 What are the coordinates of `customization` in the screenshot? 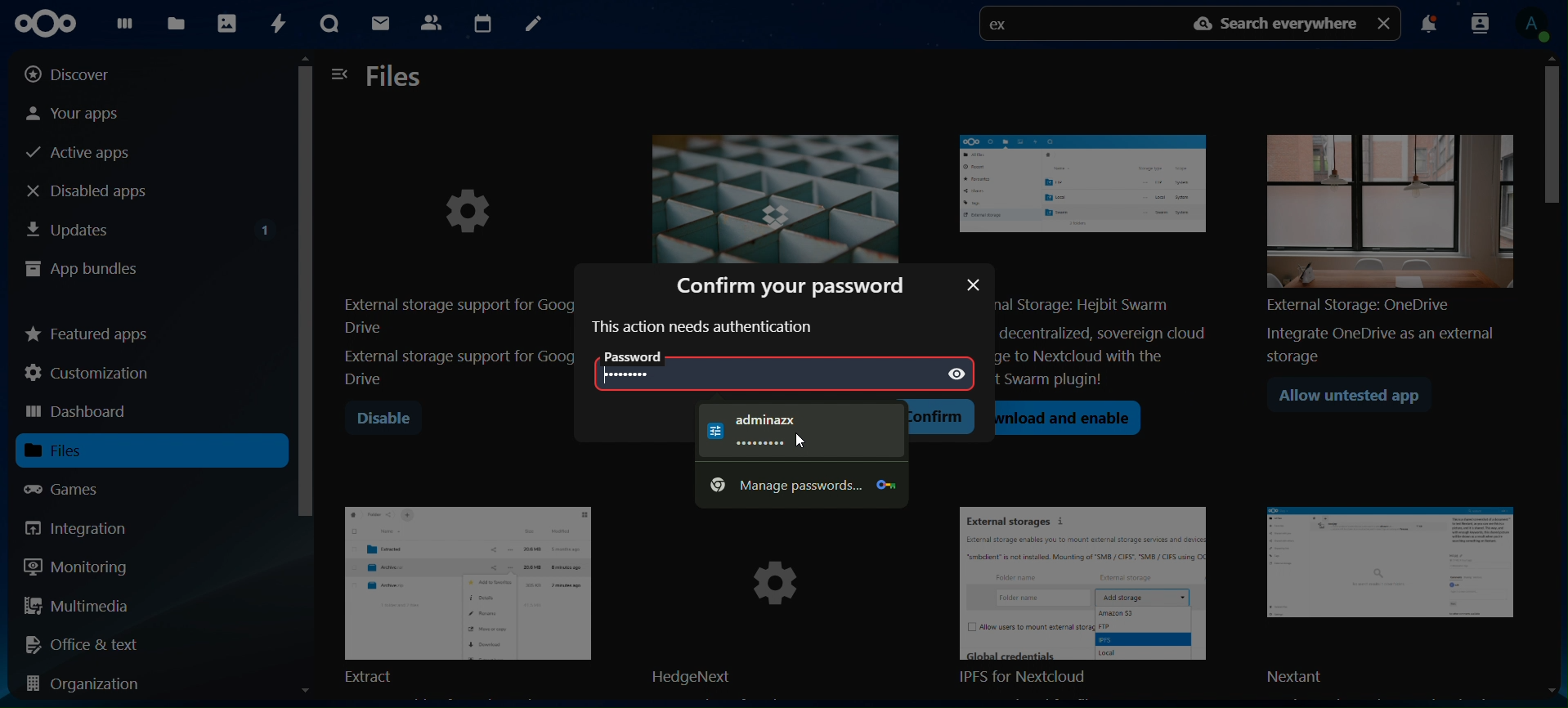 It's located at (91, 373).